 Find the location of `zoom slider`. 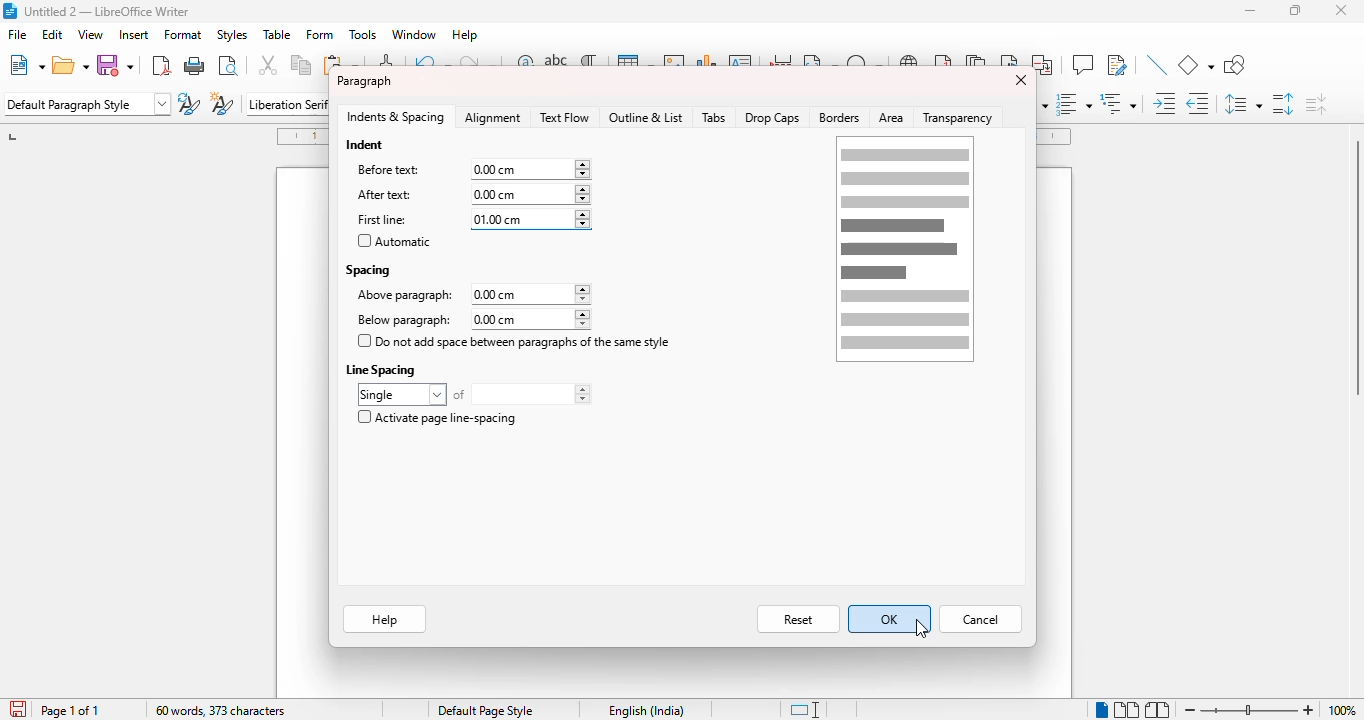

zoom slider is located at coordinates (1252, 709).